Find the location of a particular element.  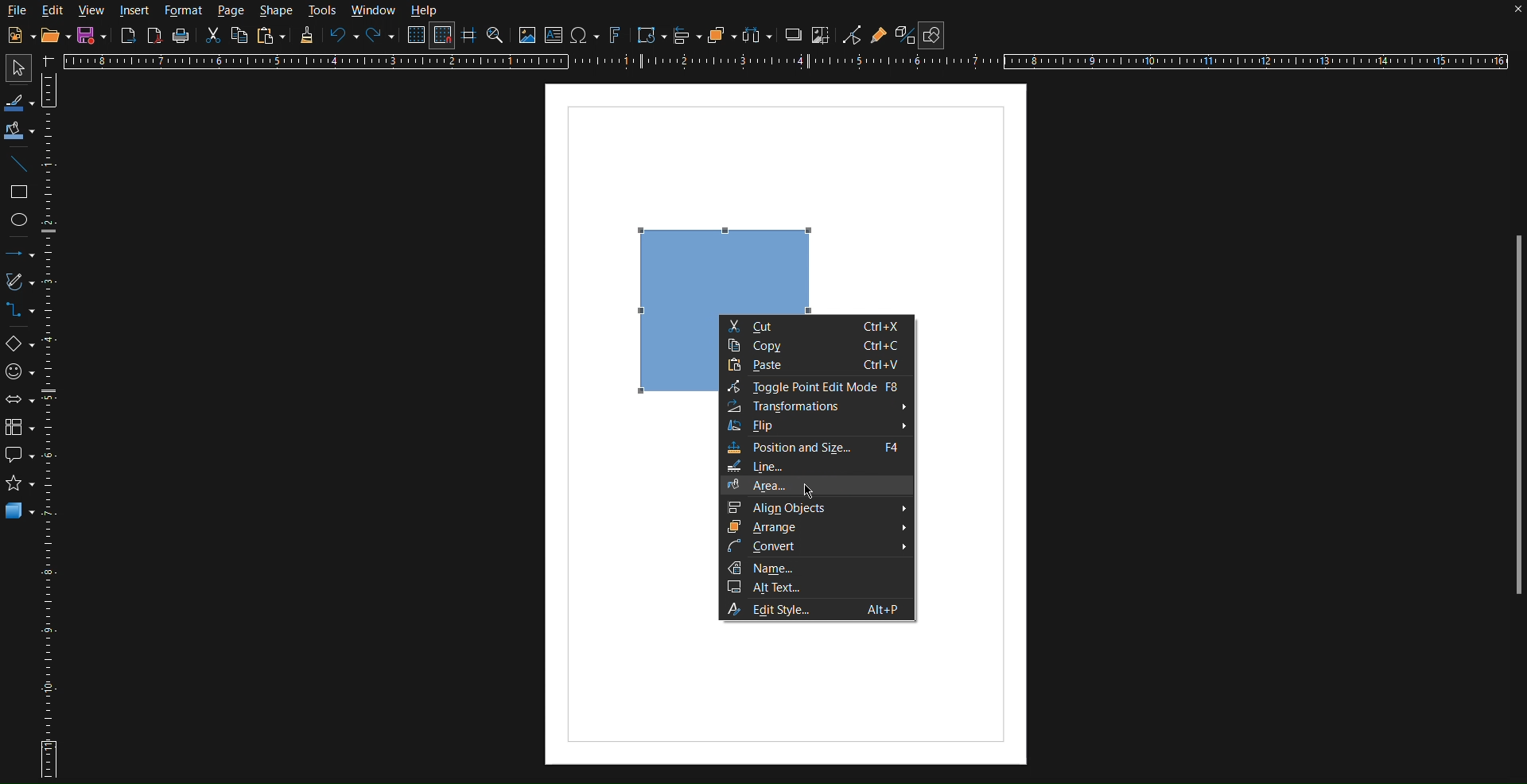

Extrude is located at coordinates (900, 33).